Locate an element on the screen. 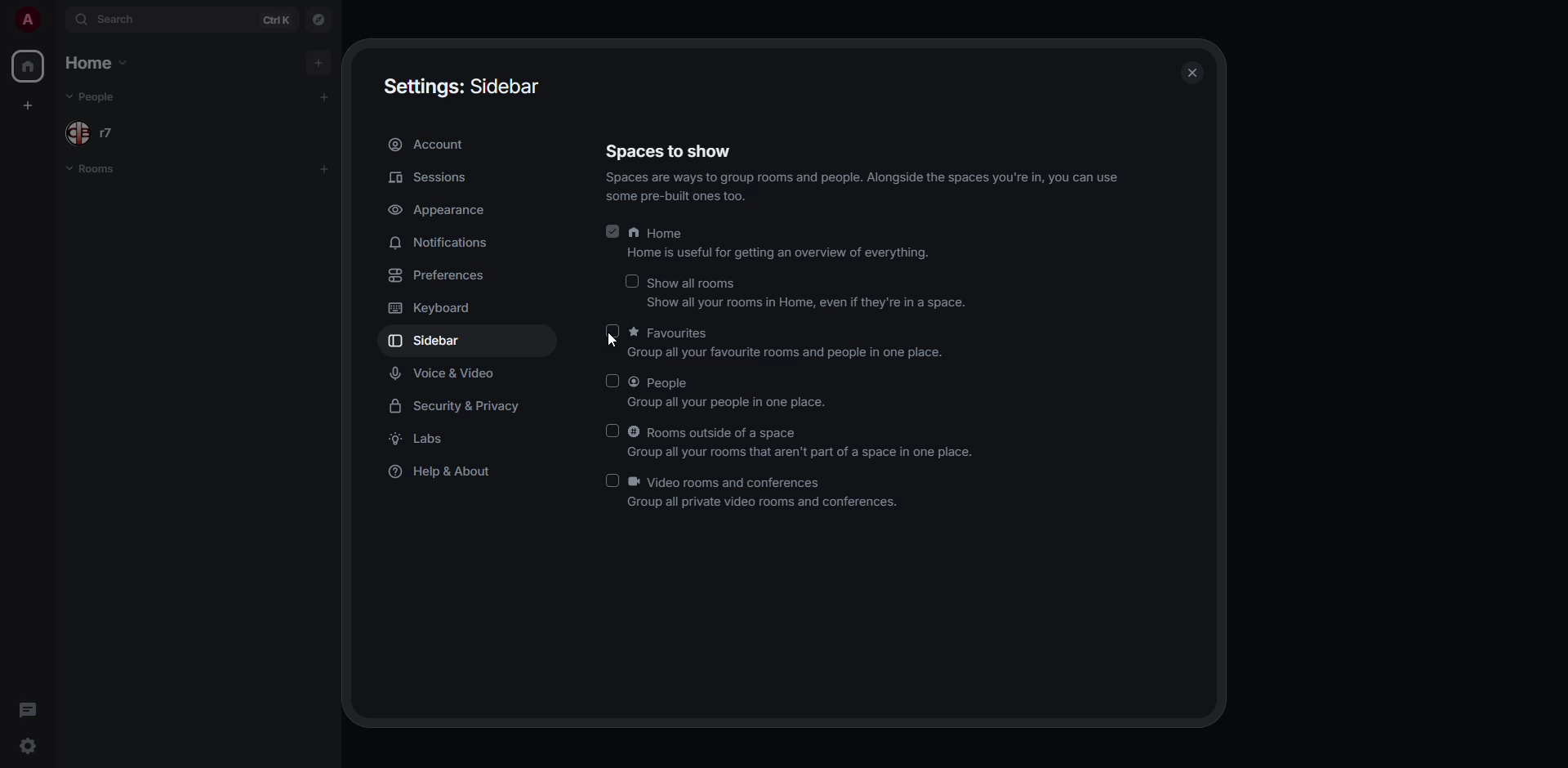 The height and width of the screenshot is (768, 1568). People Group all your people in one place. is located at coordinates (728, 392).